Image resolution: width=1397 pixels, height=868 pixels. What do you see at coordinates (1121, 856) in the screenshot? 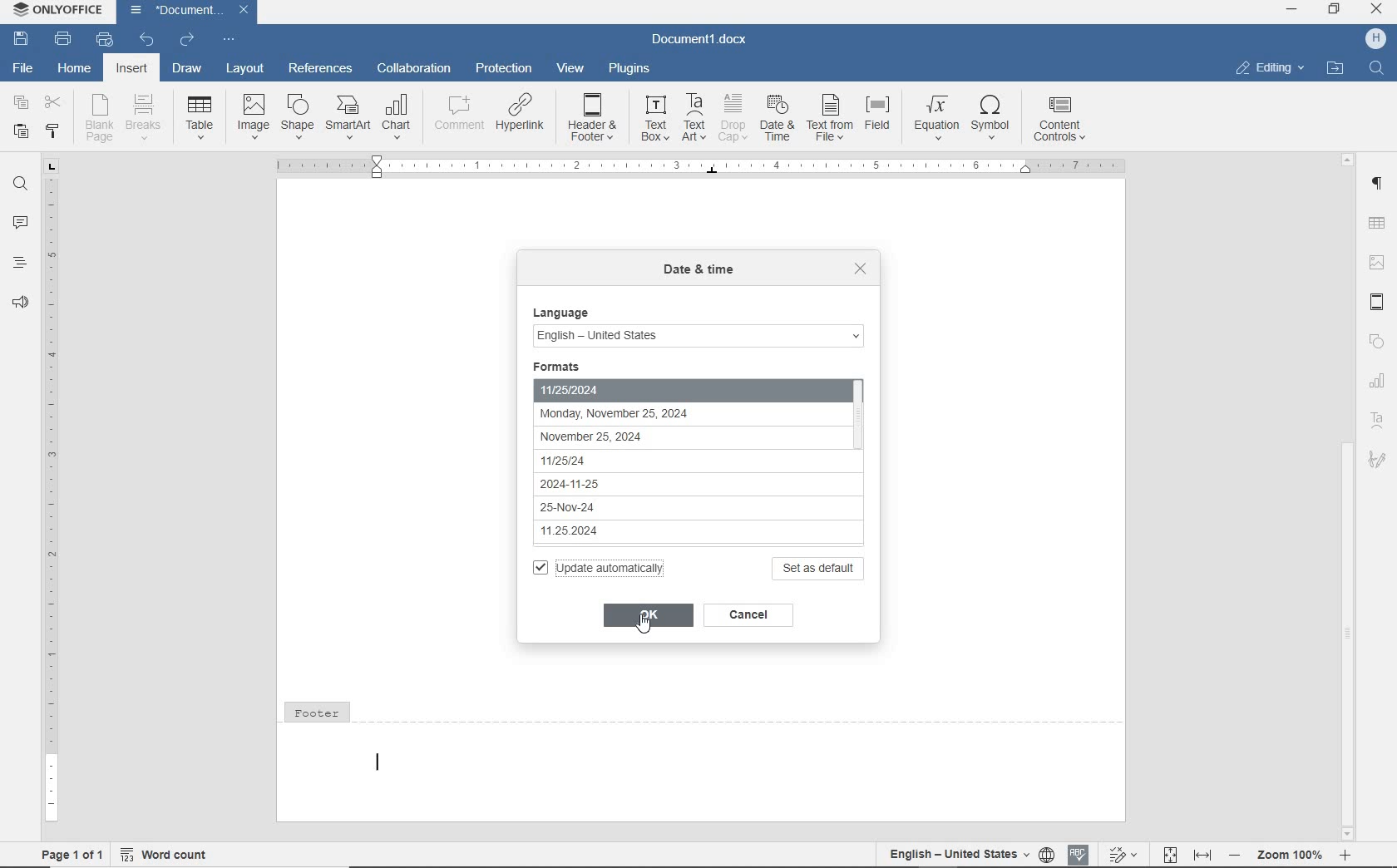
I see `track changes` at bounding box center [1121, 856].